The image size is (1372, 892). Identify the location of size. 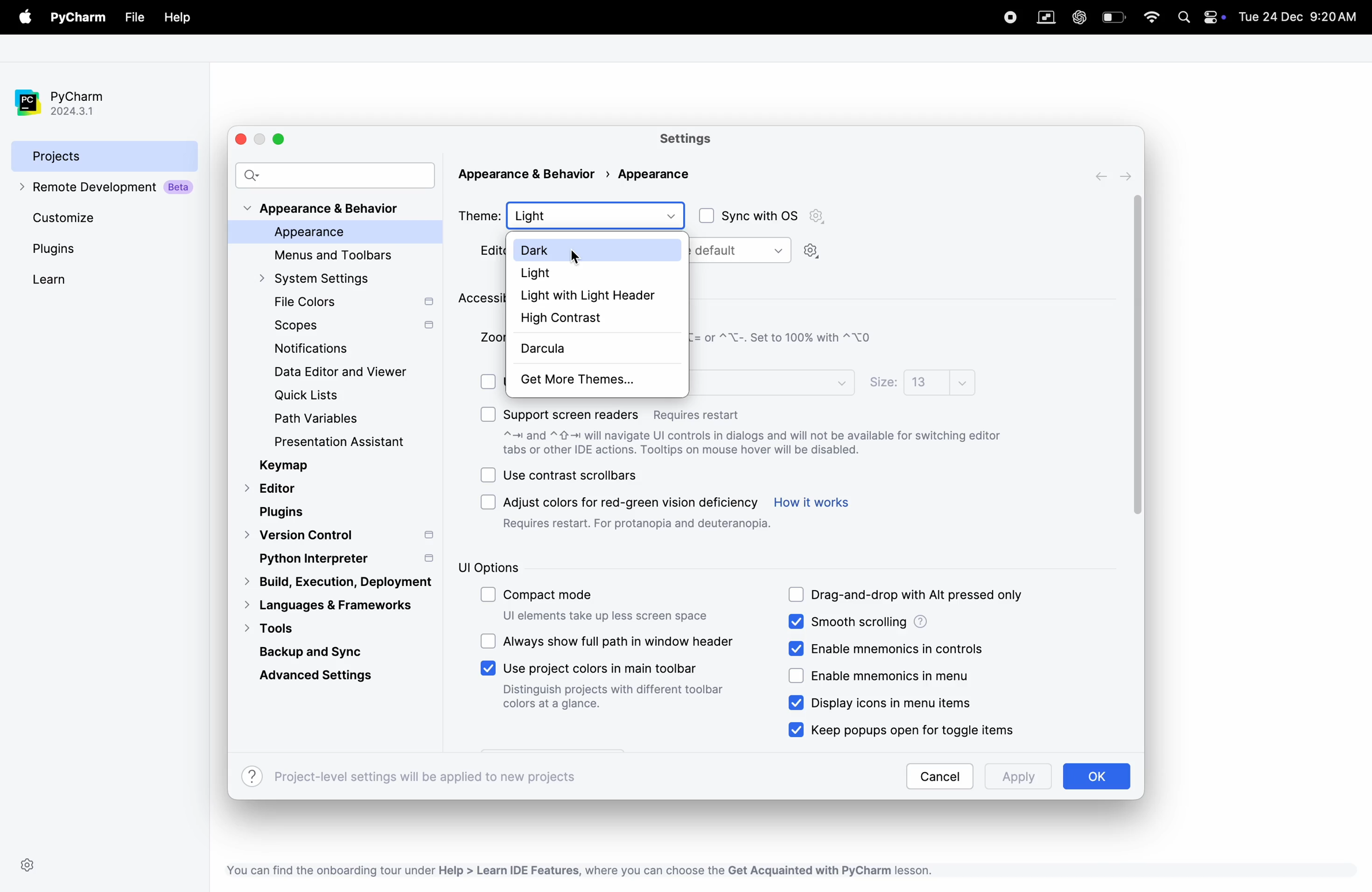
(883, 383).